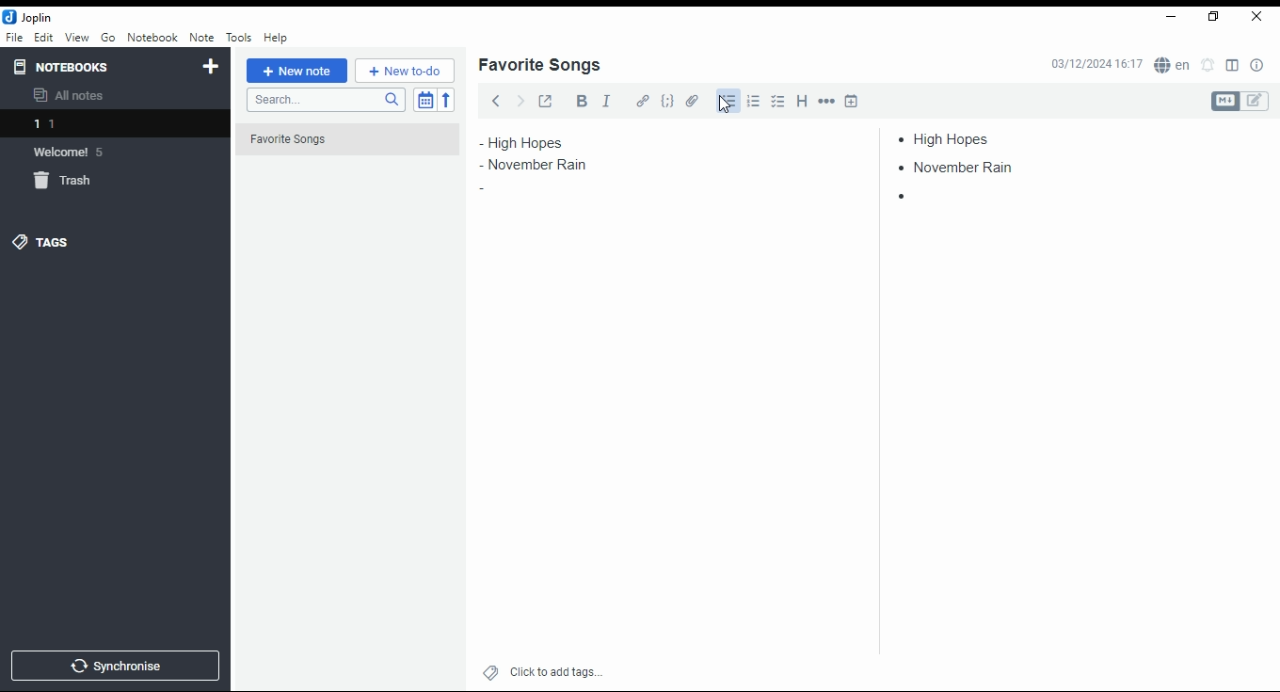 The width and height of the screenshot is (1280, 692). I want to click on notebook 1, so click(73, 126).